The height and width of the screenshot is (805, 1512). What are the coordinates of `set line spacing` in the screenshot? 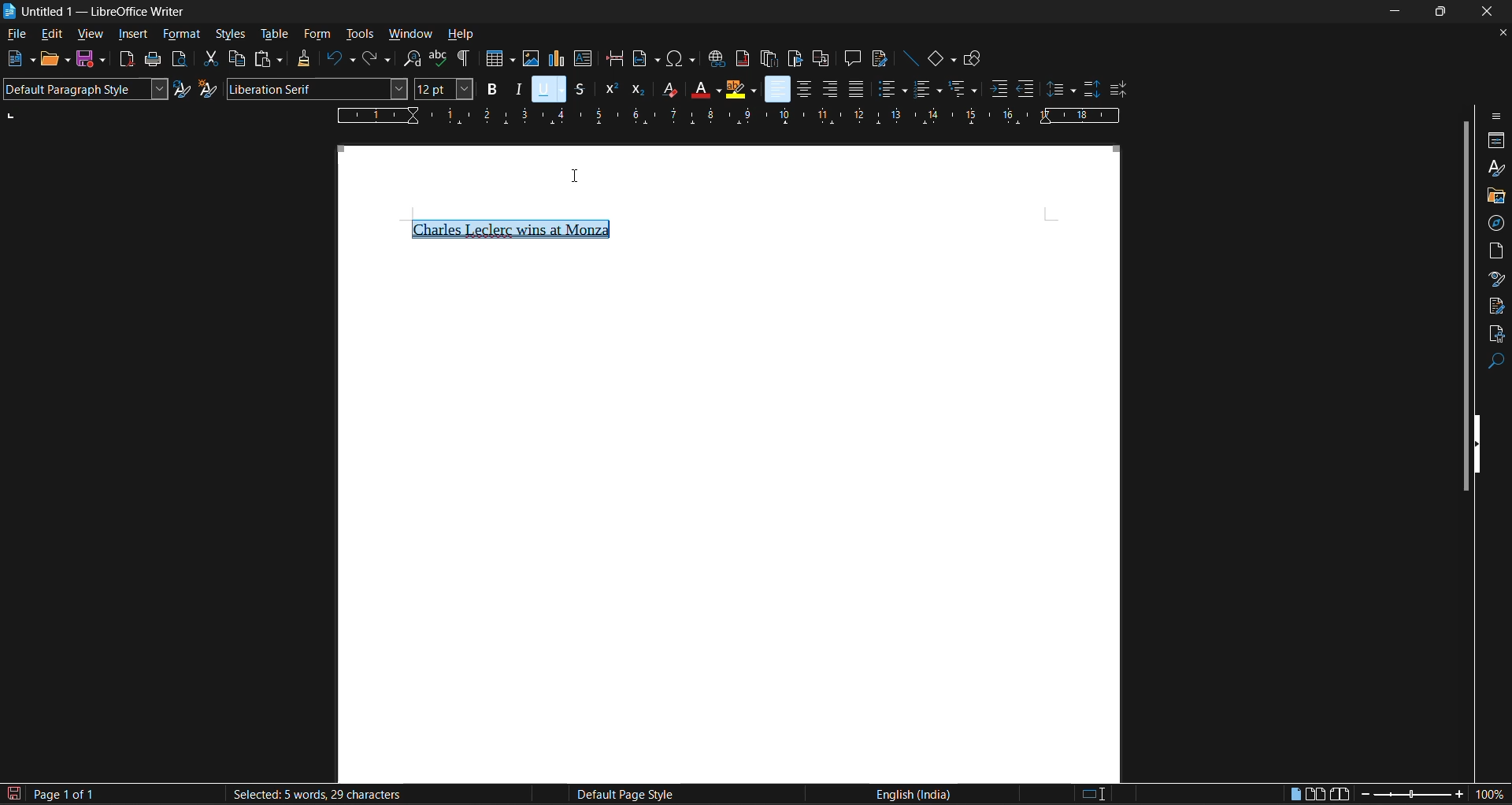 It's located at (1061, 91).